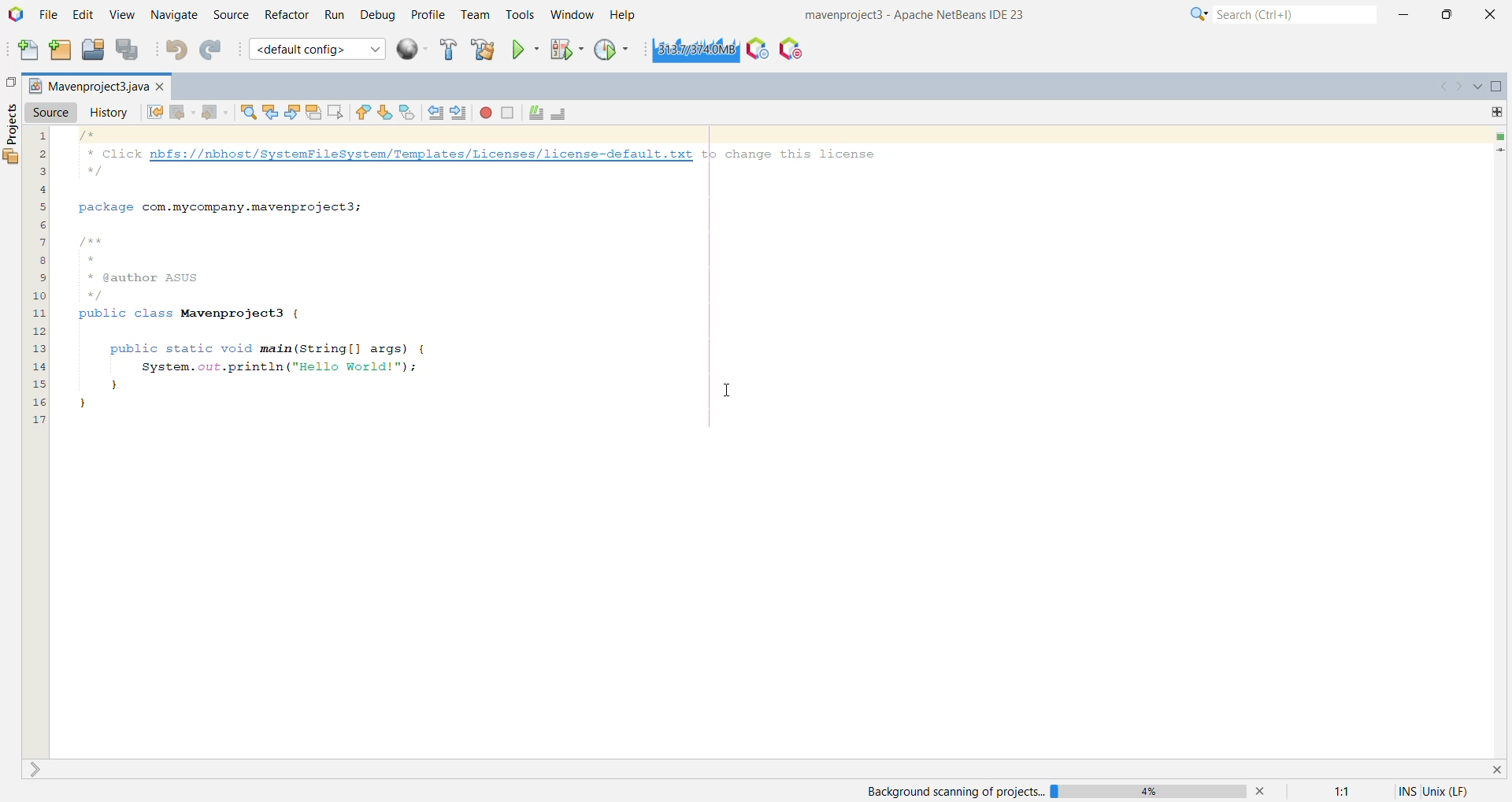  What do you see at coordinates (313, 113) in the screenshot?
I see `Toggle Highlight Selection` at bounding box center [313, 113].